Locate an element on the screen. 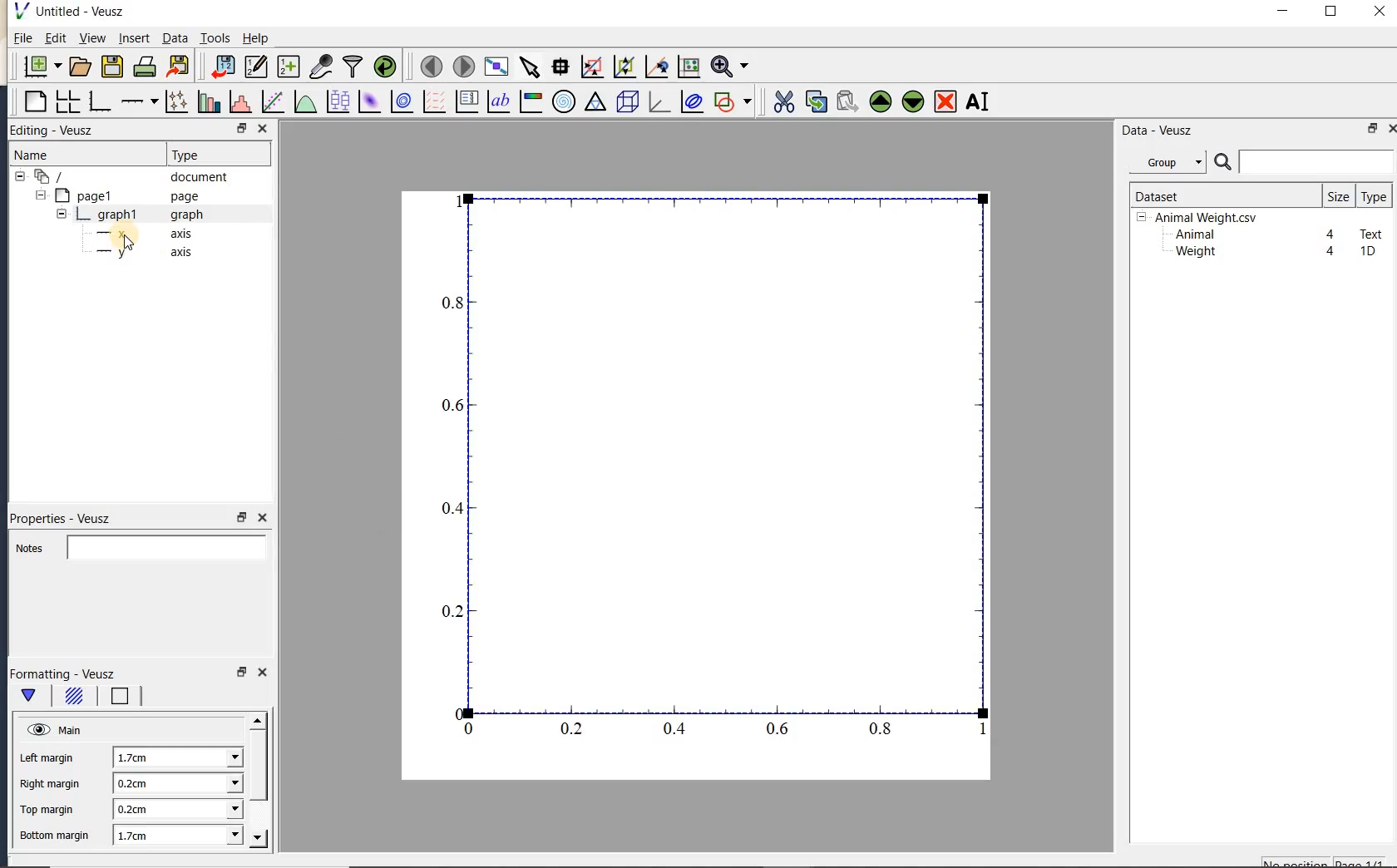  view plot full screen is located at coordinates (496, 67).